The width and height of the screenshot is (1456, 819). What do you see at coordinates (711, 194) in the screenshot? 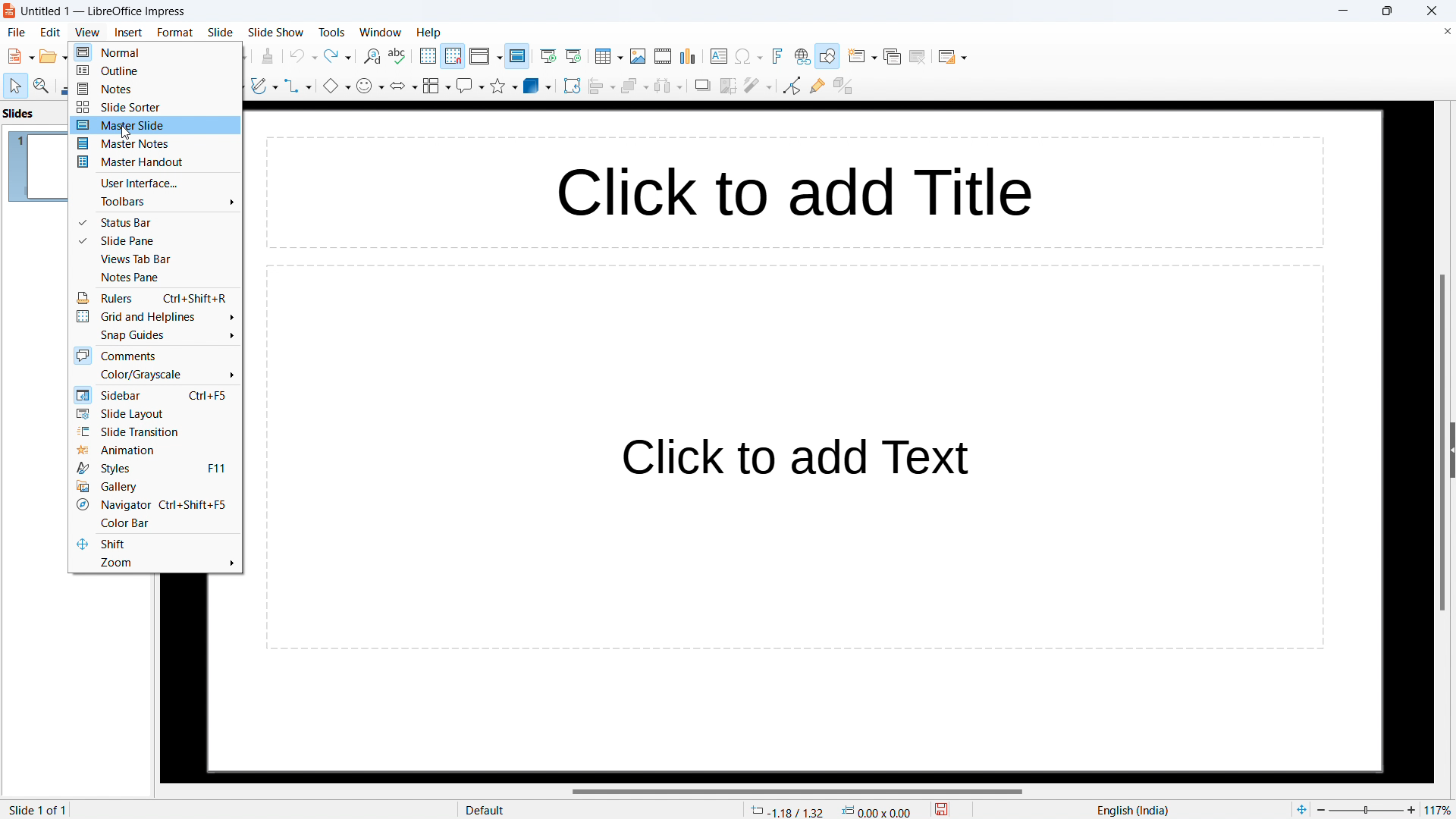
I see `click to add title` at bounding box center [711, 194].